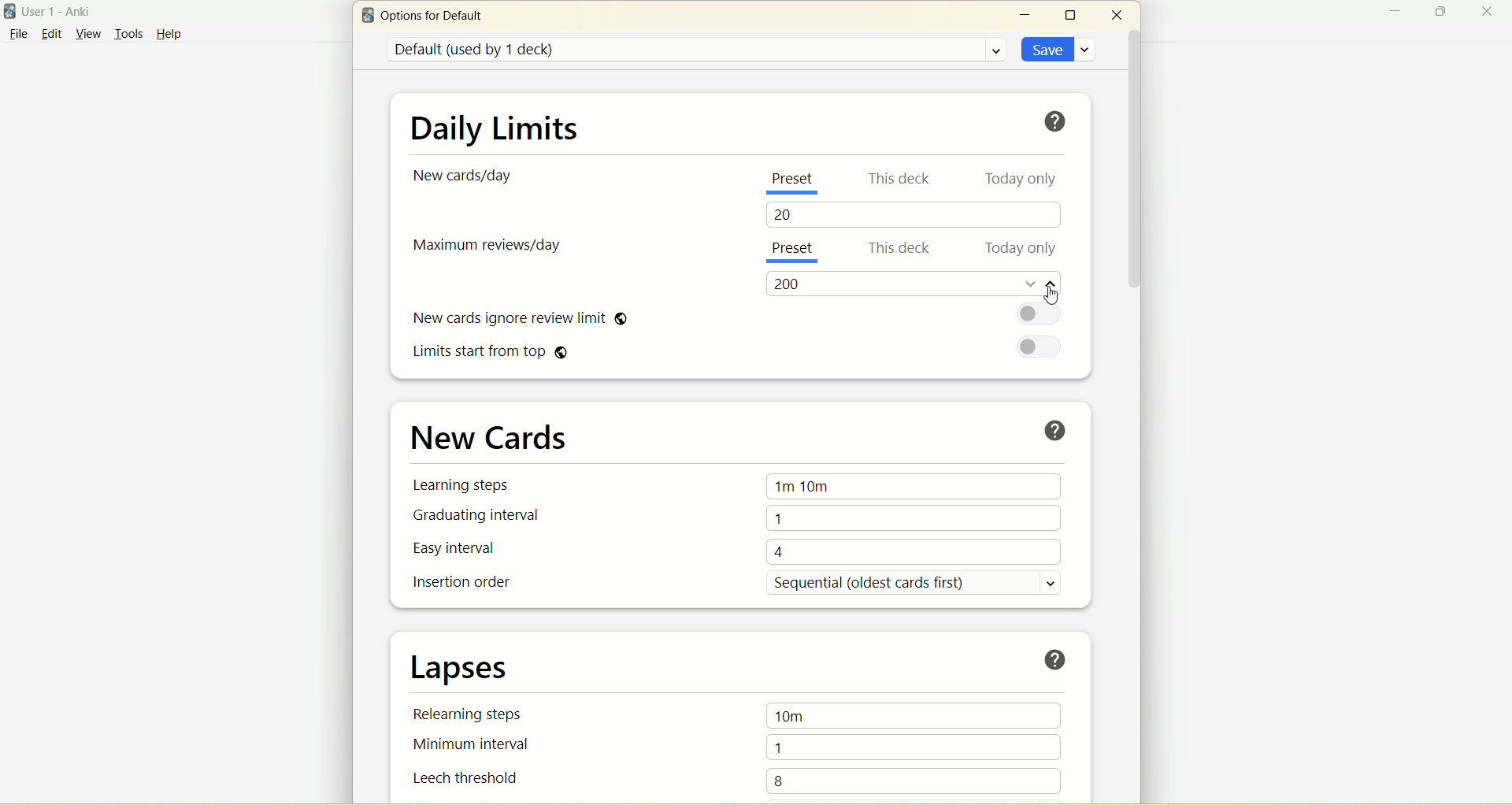 Image resolution: width=1512 pixels, height=805 pixels. What do you see at coordinates (1058, 124) in the screenshot?
I see `help` at bounding box center [1058, 124].